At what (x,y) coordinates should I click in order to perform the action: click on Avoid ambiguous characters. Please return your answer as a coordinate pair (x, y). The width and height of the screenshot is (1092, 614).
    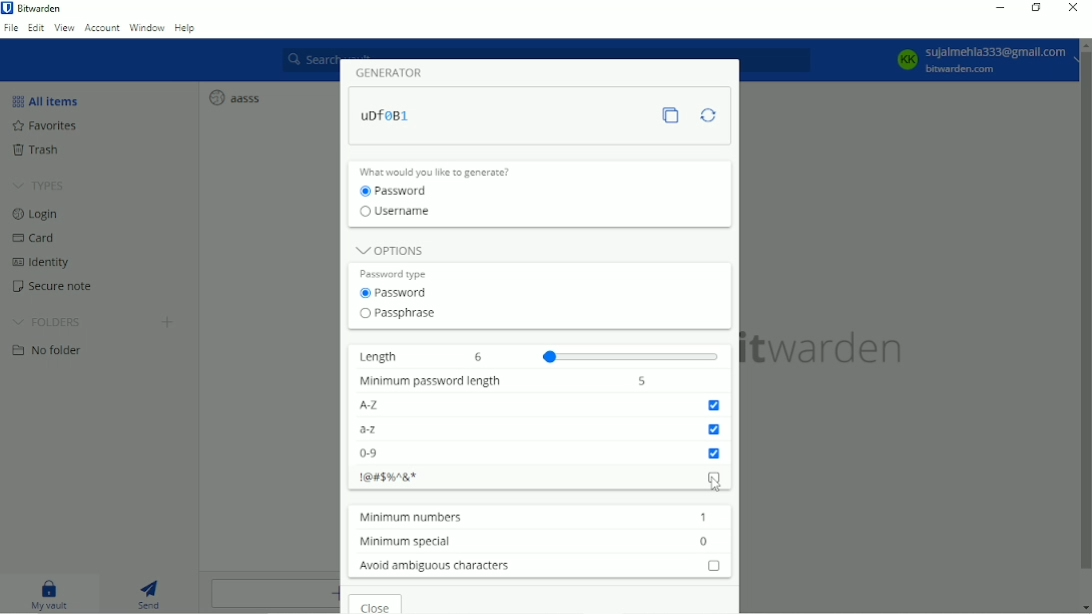
    Looking at the image, I should click on (439, 568).